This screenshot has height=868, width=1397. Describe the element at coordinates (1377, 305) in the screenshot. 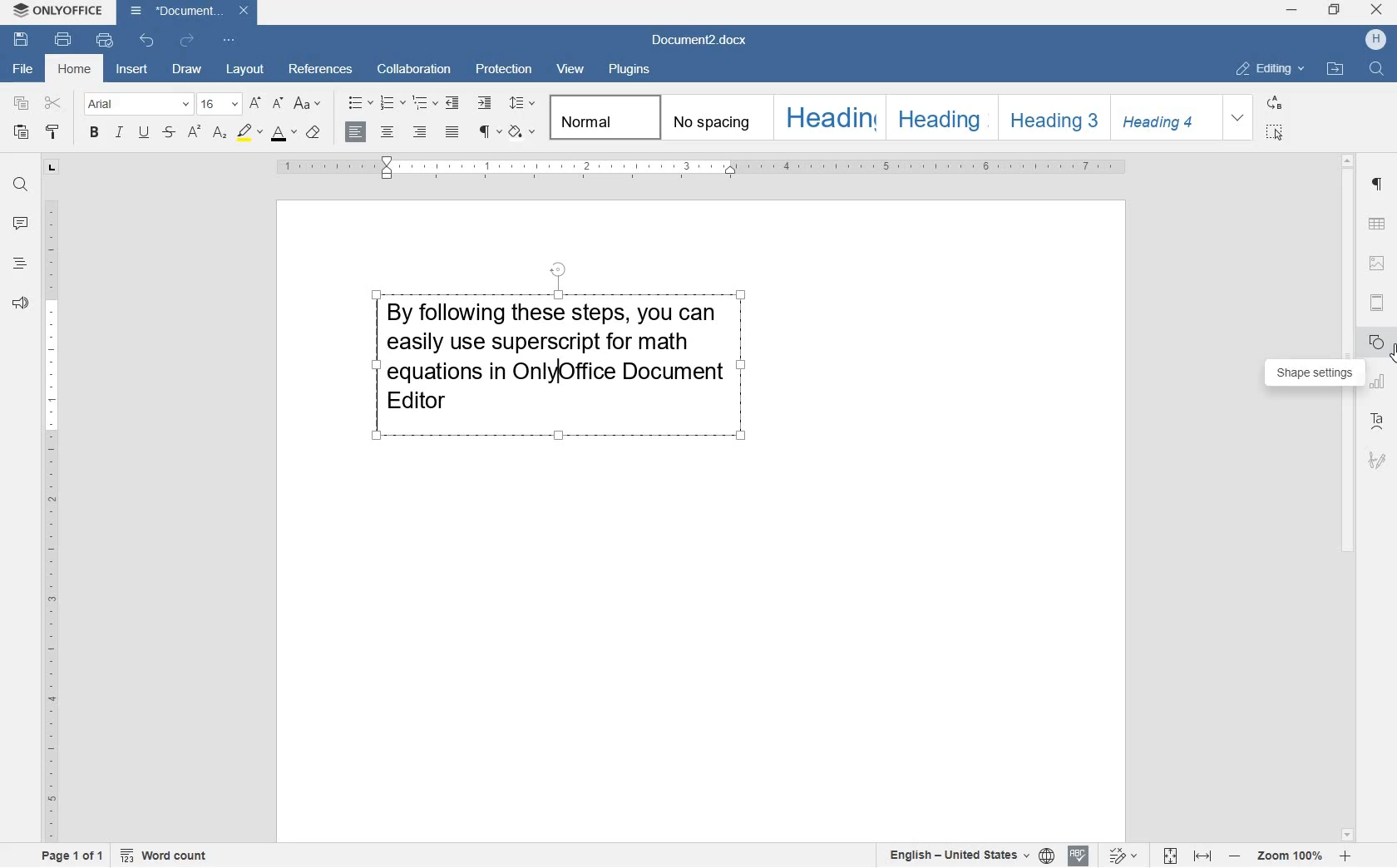

I see `headers & footers` at that location.